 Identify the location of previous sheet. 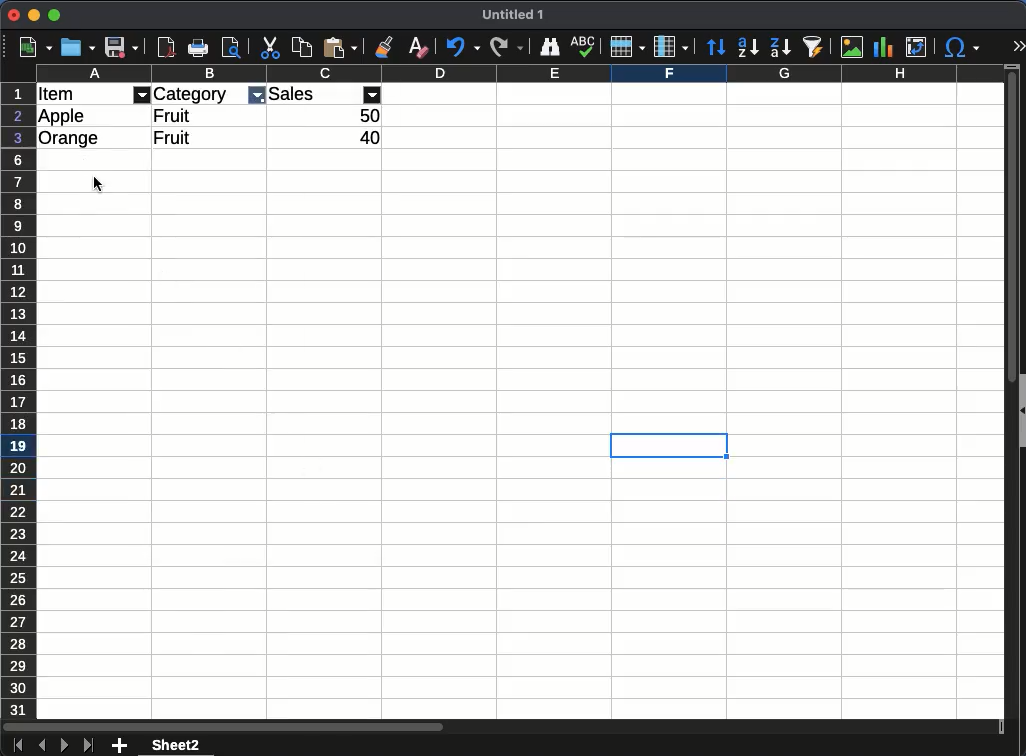
(42, 745).